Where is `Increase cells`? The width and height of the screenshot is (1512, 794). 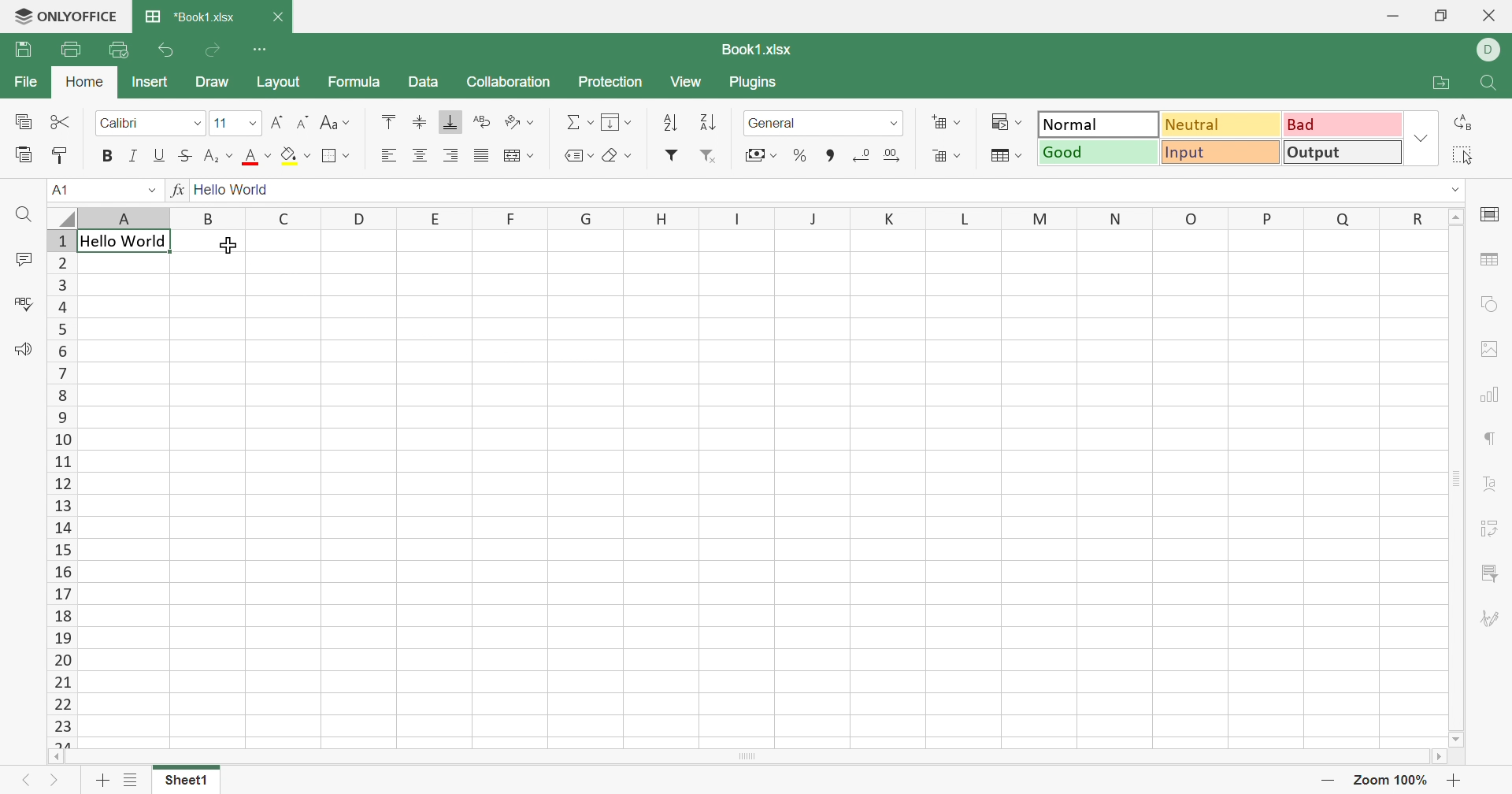 Increase cells is located at coordinates (944, 122).